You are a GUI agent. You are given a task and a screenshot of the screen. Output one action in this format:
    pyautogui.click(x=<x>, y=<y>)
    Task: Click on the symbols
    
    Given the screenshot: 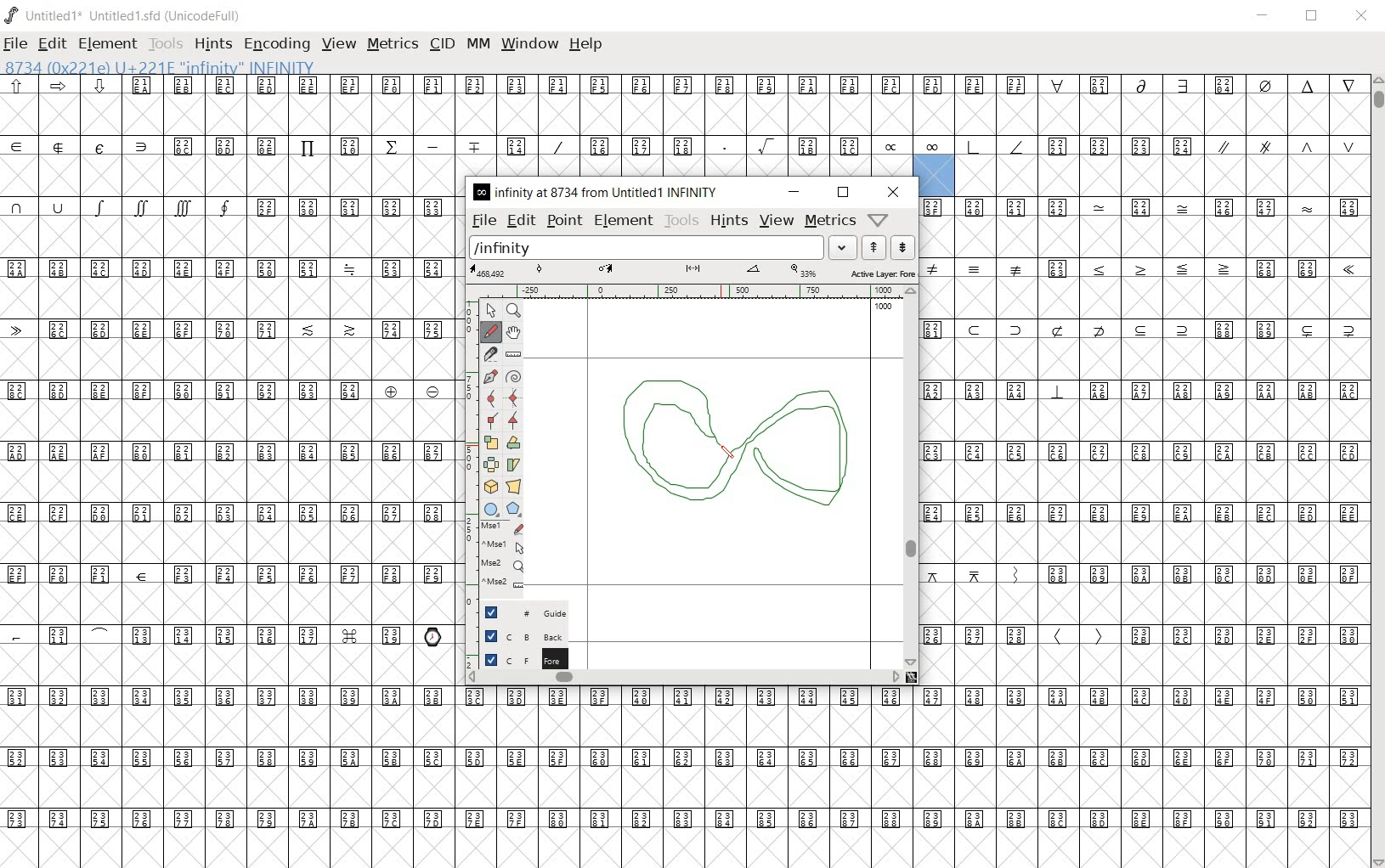 What is the action you would take?
    pyautogui.click(x=124, y=206)
    